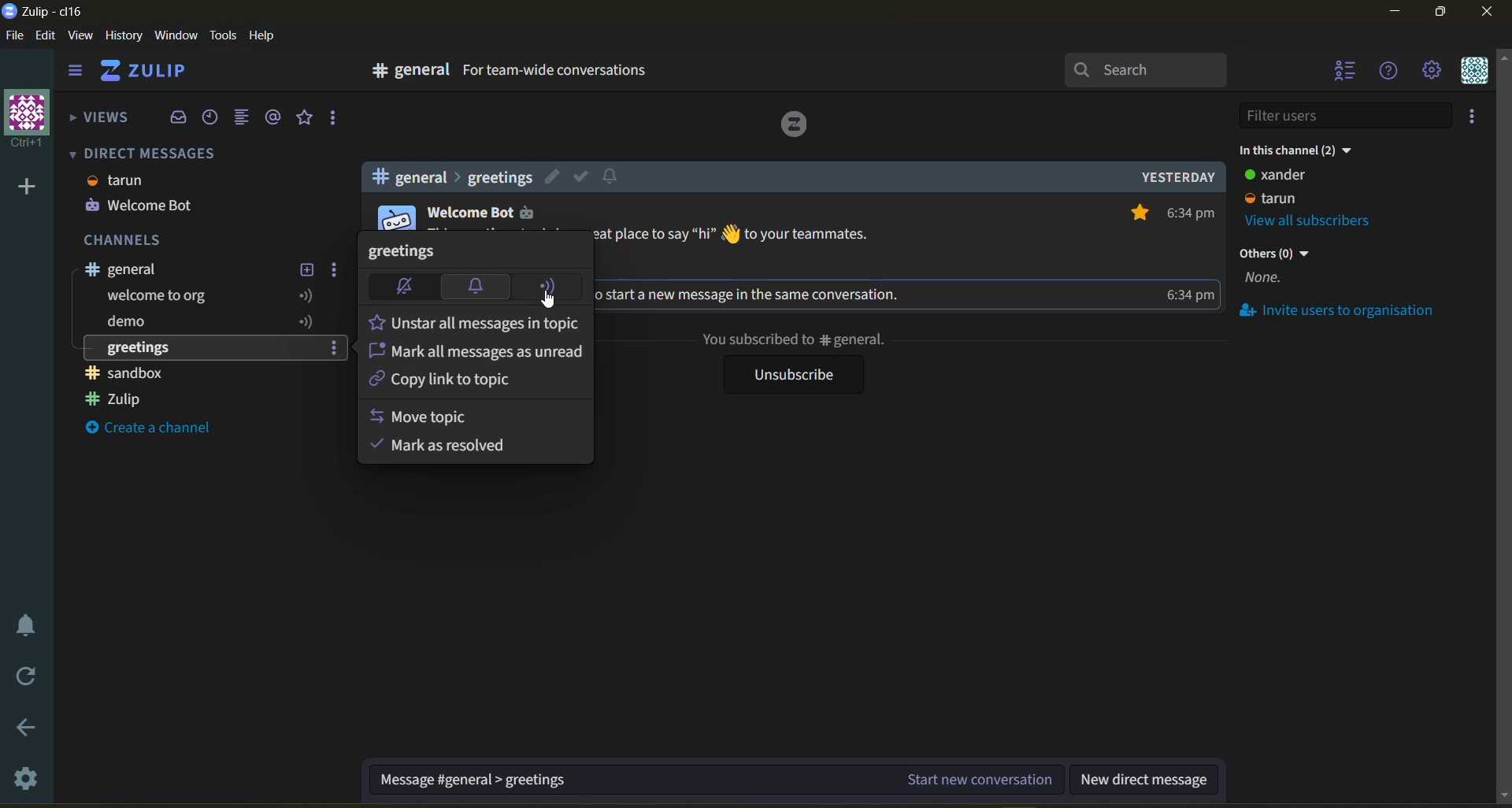  What do you see at coordinates (98, 123) in the screenshot?
I see `views` at bounding box center [98, 123].